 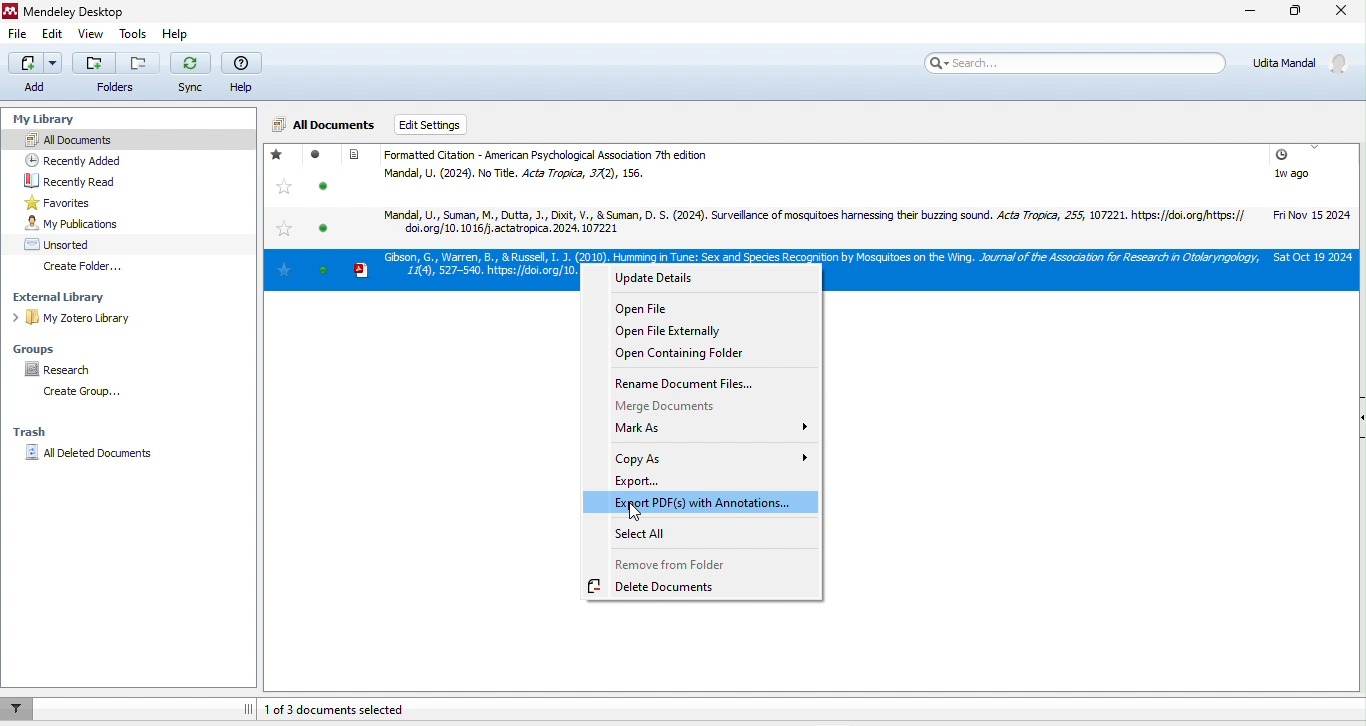 What do you see at coordinates (707, 431) in the screenshot?
I see `mark as` at bounding box center [707, 431].